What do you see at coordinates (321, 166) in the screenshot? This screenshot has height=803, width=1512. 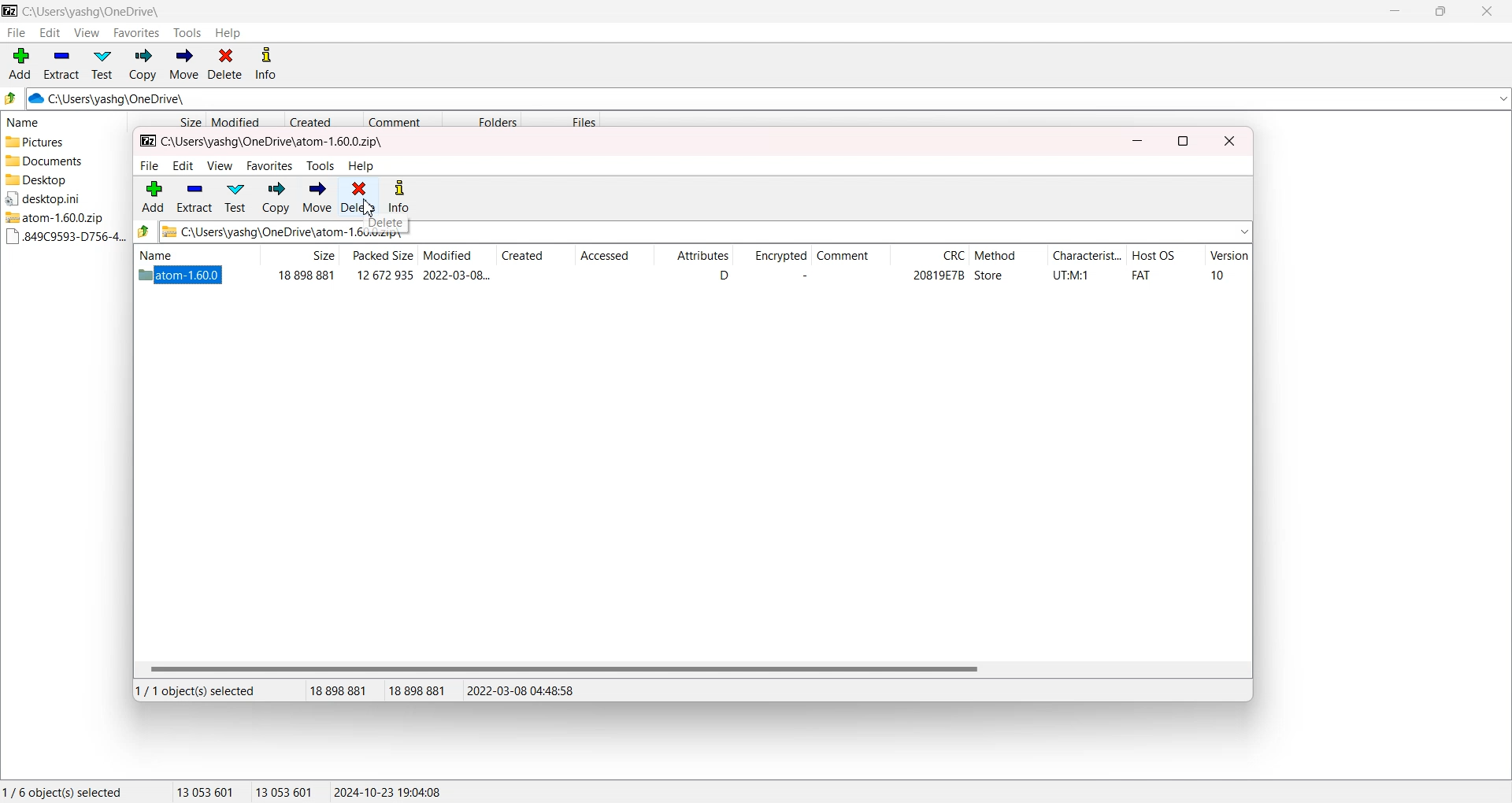 I see `tools` at bounding box center [321, 166].